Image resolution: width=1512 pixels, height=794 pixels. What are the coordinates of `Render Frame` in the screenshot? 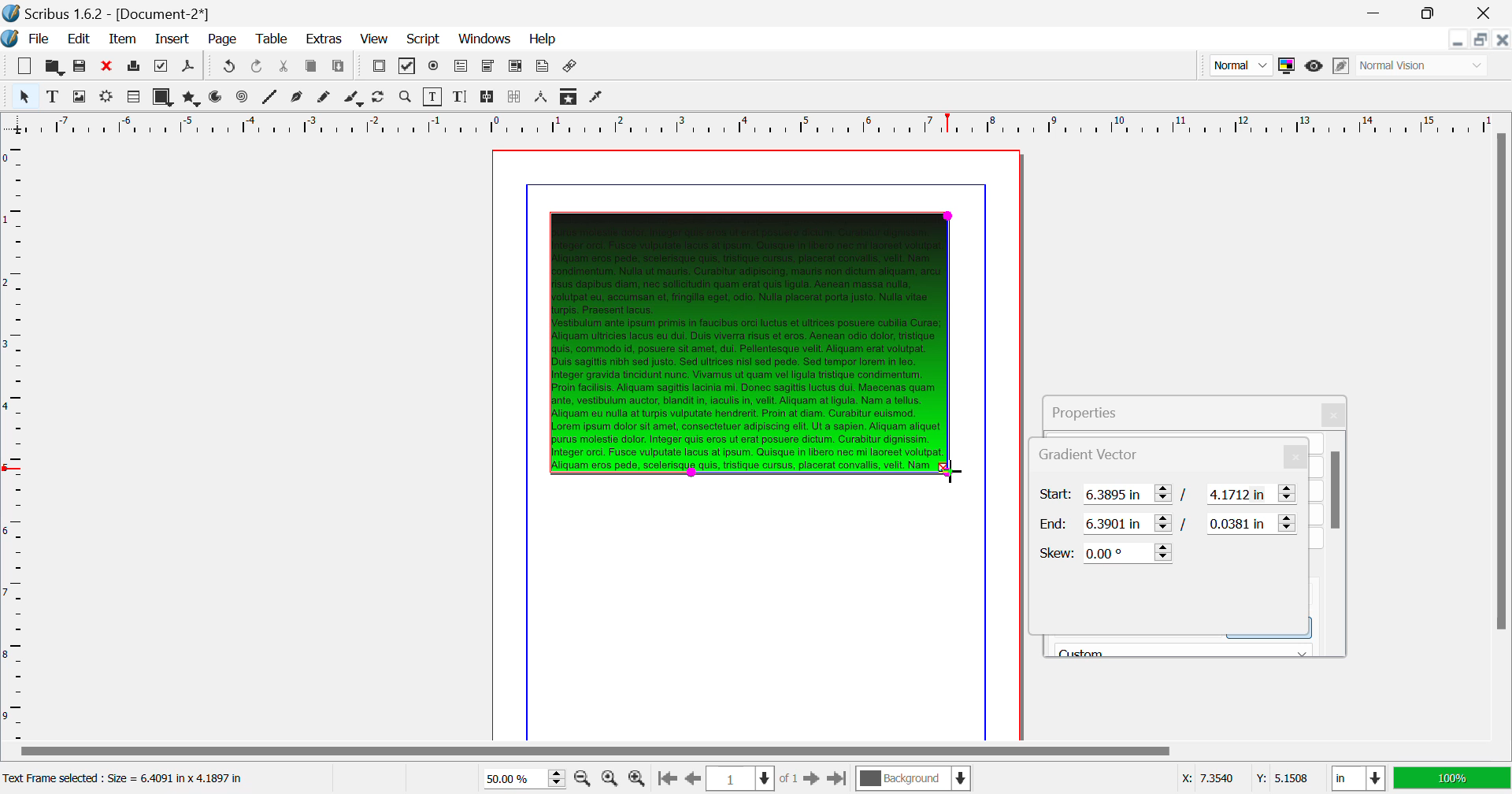 It's located at (106, 98).